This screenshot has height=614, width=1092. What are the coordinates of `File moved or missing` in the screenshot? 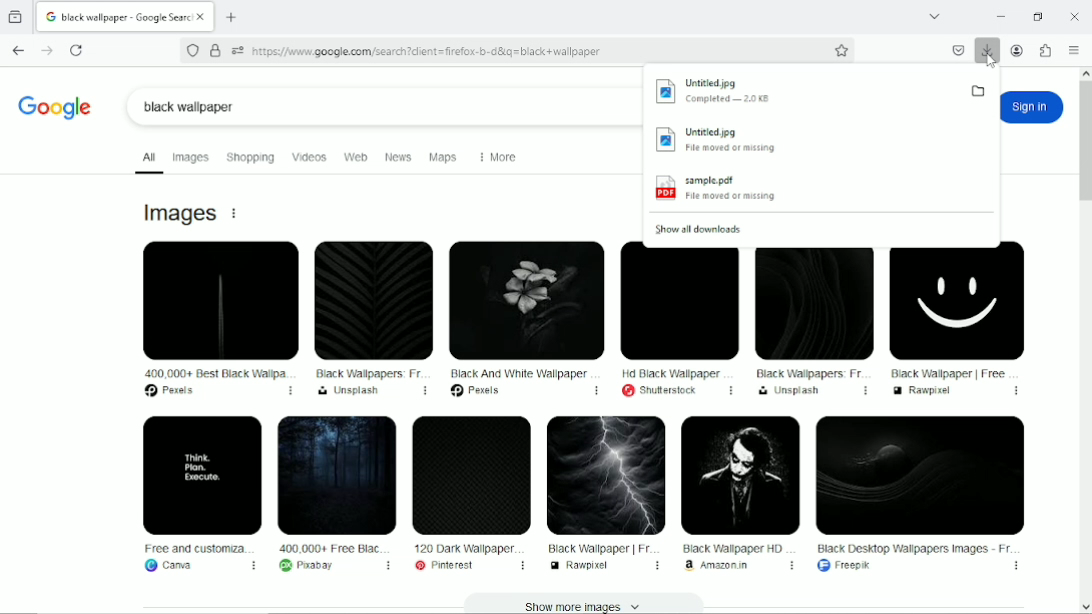 It's located at (820, 142).